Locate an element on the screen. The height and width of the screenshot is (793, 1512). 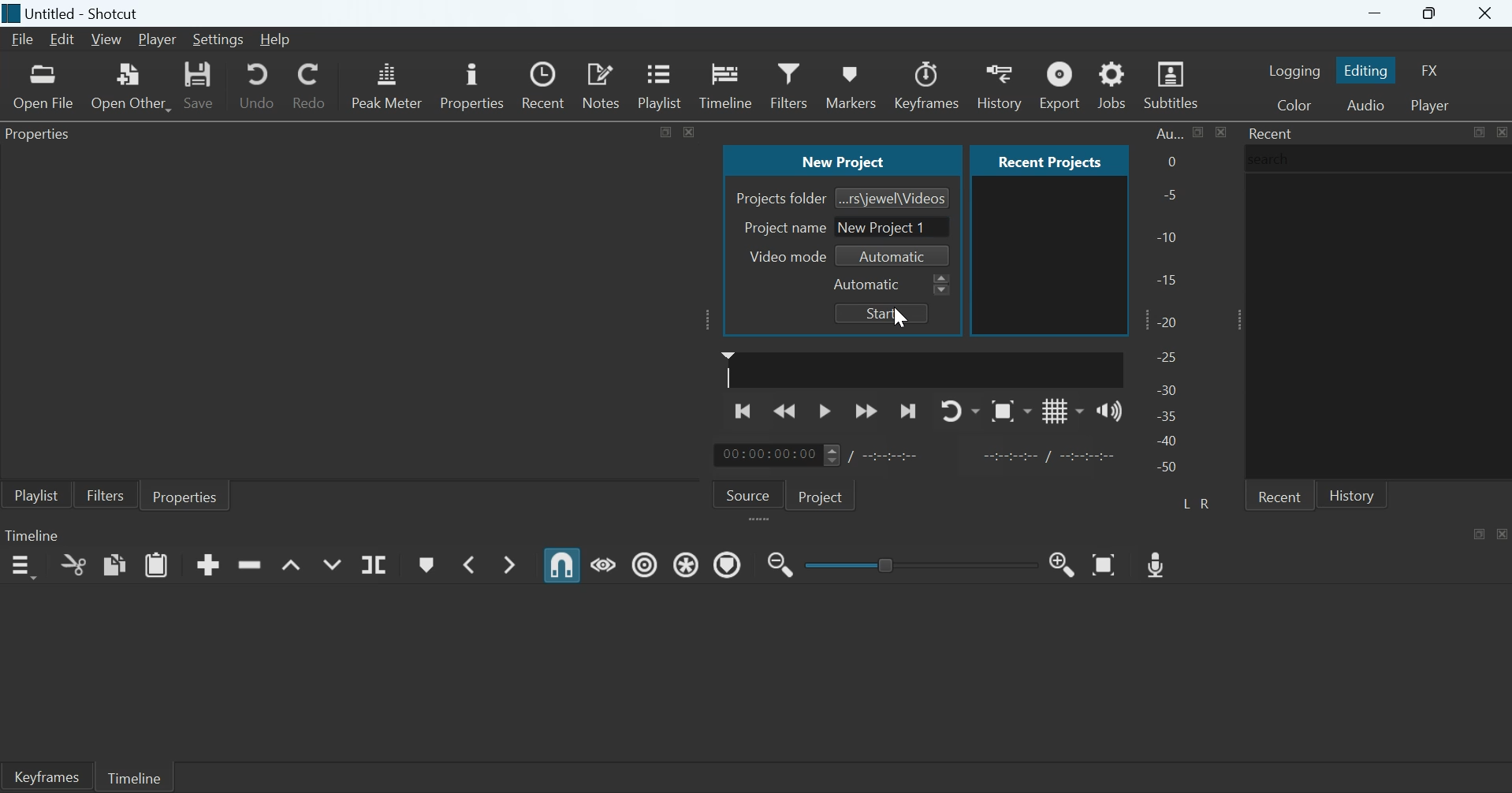
Markers is located at coordinates (850, 84).